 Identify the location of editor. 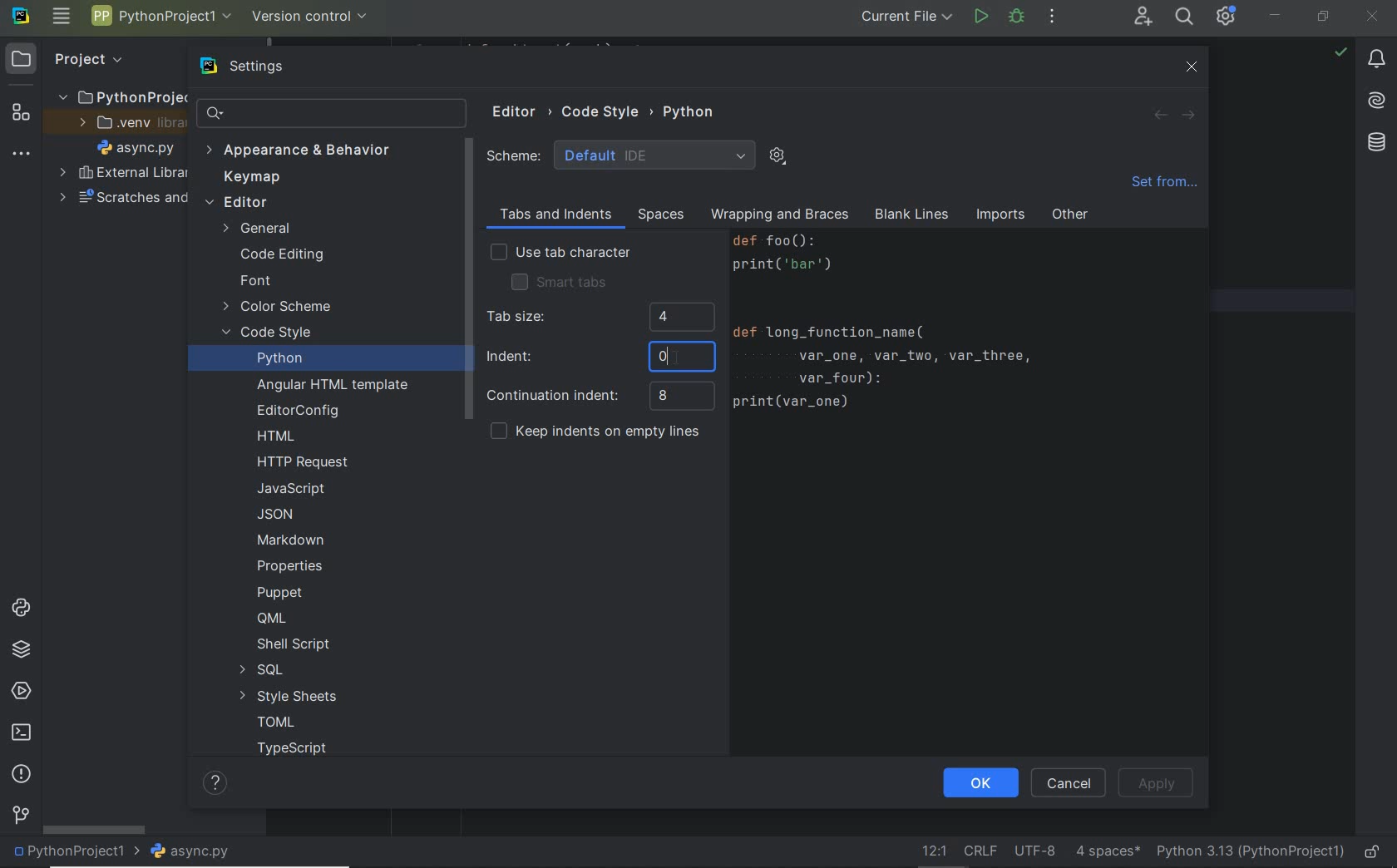
(236, 204).